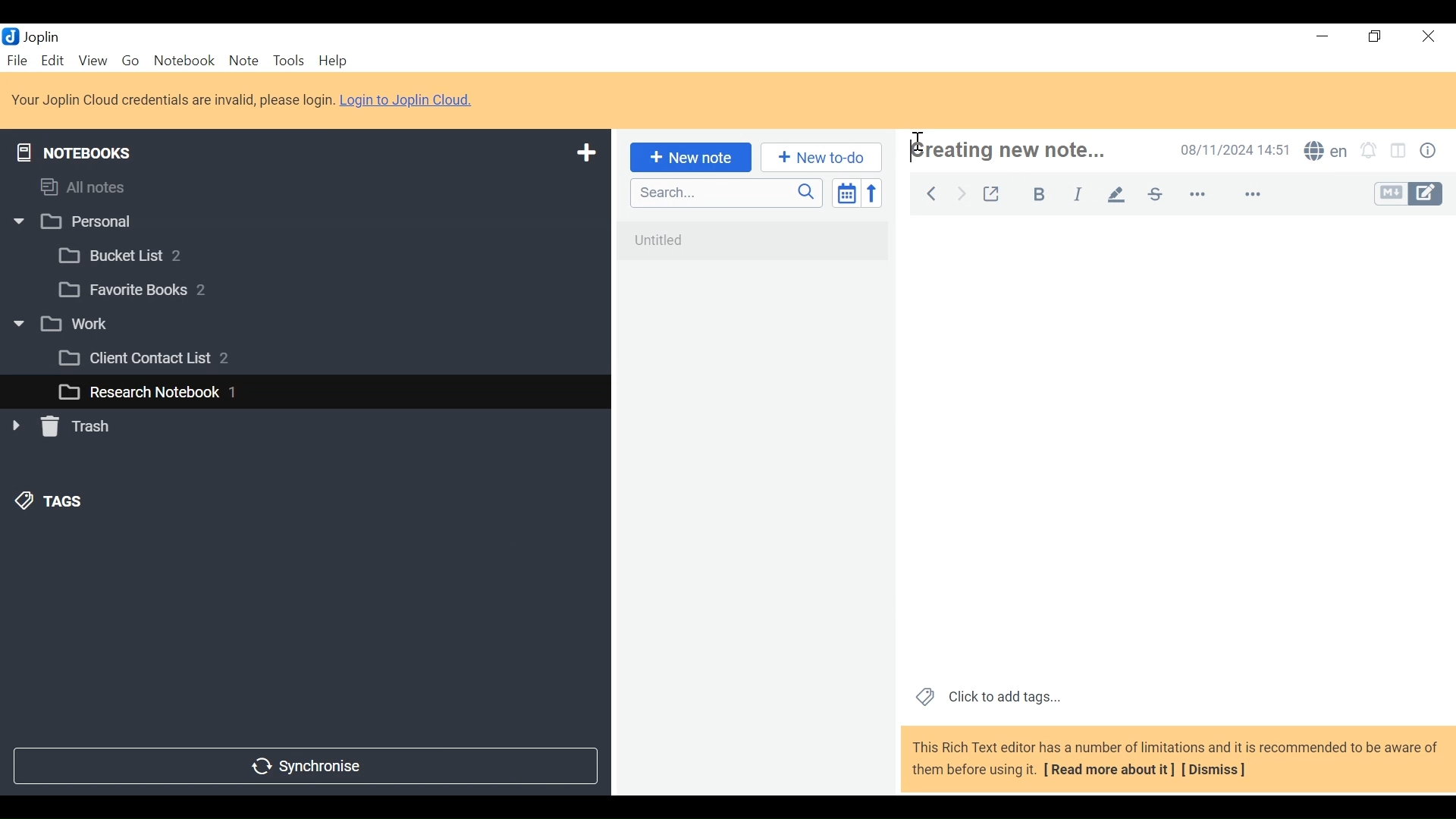 The height and width of the screenshot is (819, 1456). I want to click on w |] Personal, so click(81, 223).